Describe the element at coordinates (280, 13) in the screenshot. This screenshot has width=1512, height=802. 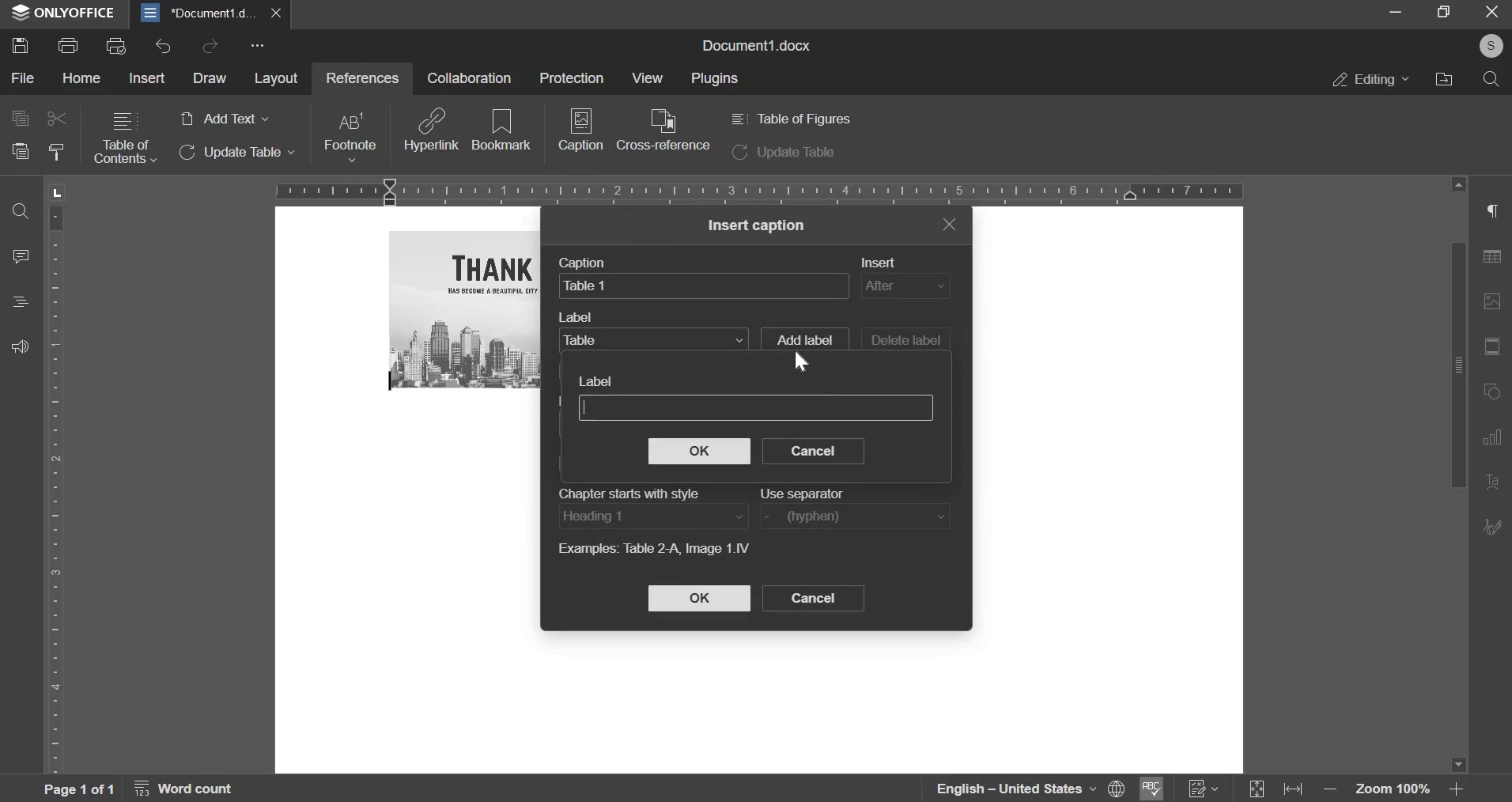
I see `close` at that location.